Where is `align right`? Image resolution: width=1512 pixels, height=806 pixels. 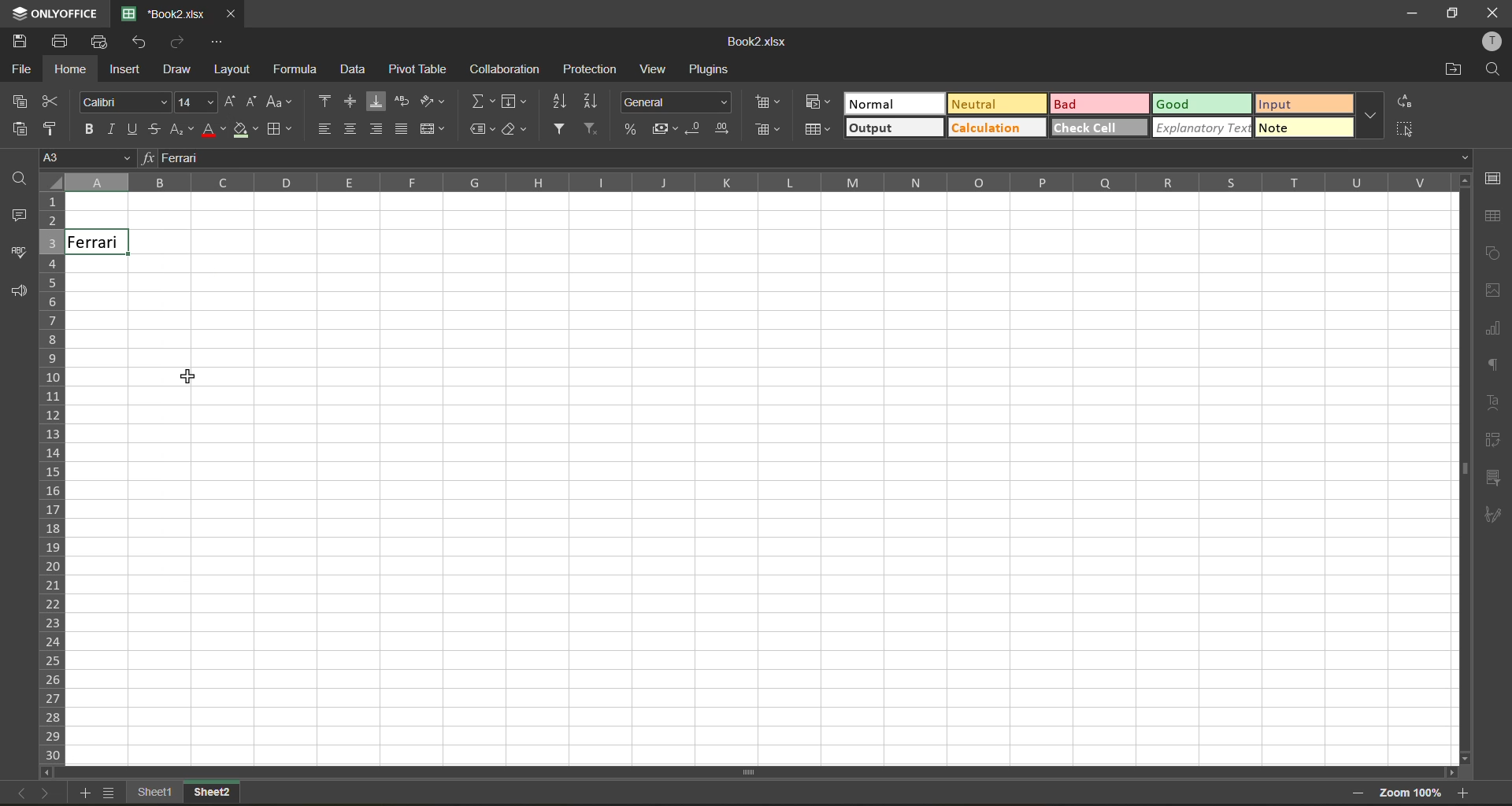
align right is located at coordinates (375, 129).